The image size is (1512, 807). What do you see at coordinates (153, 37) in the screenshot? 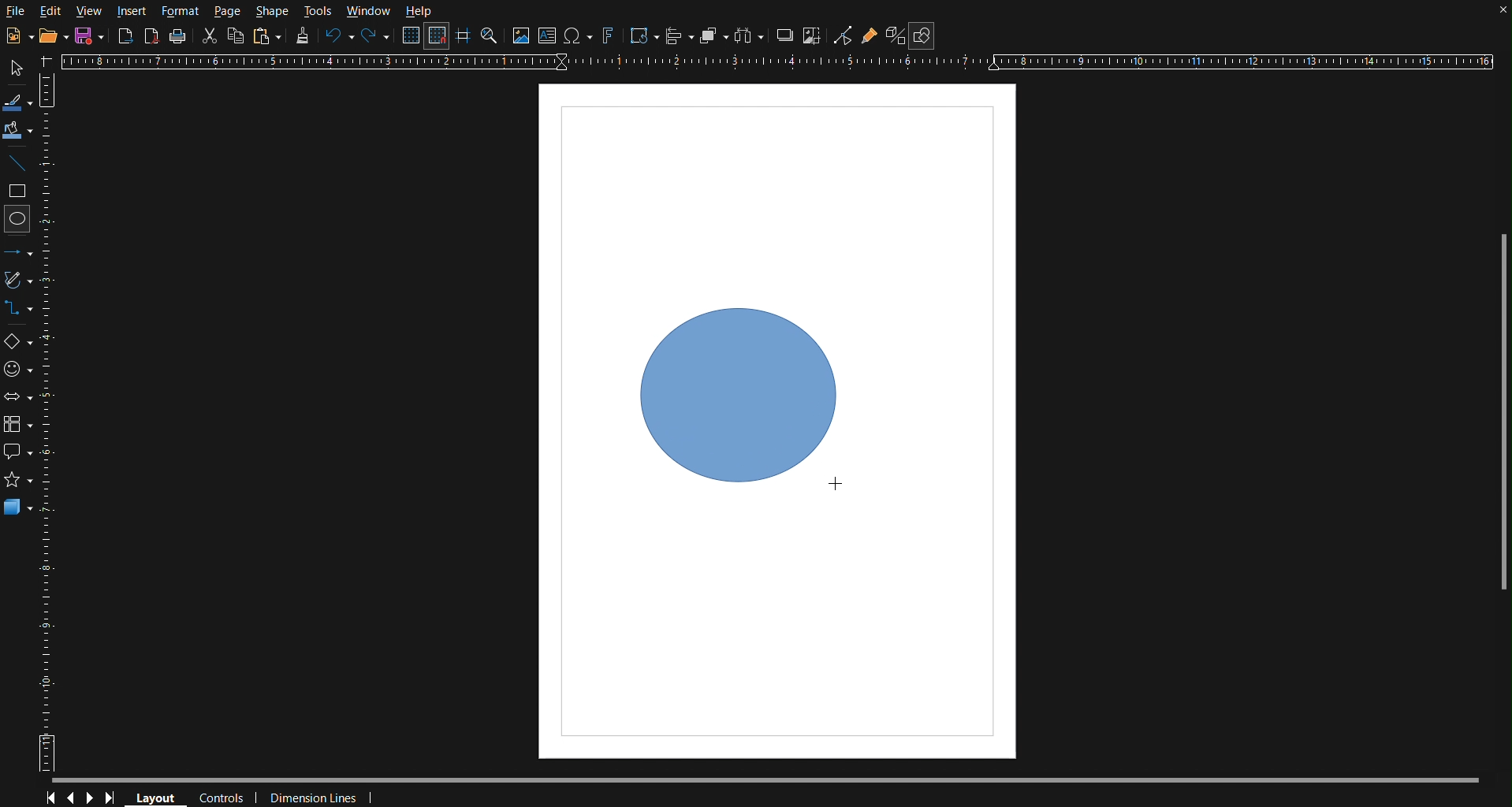
I see `Export as PDF` at bounding box center [153, 37].